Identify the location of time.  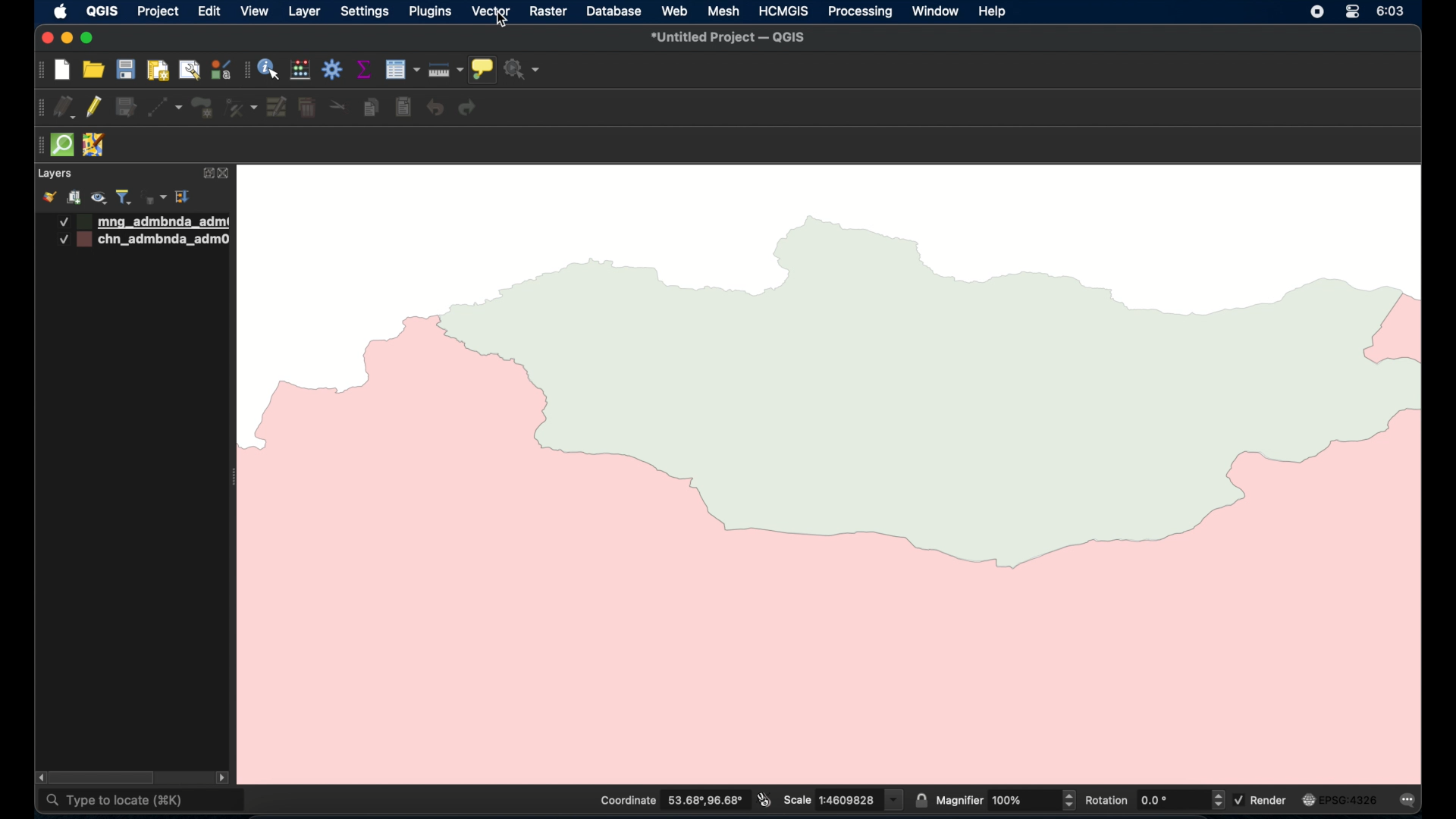
(1392, 11).